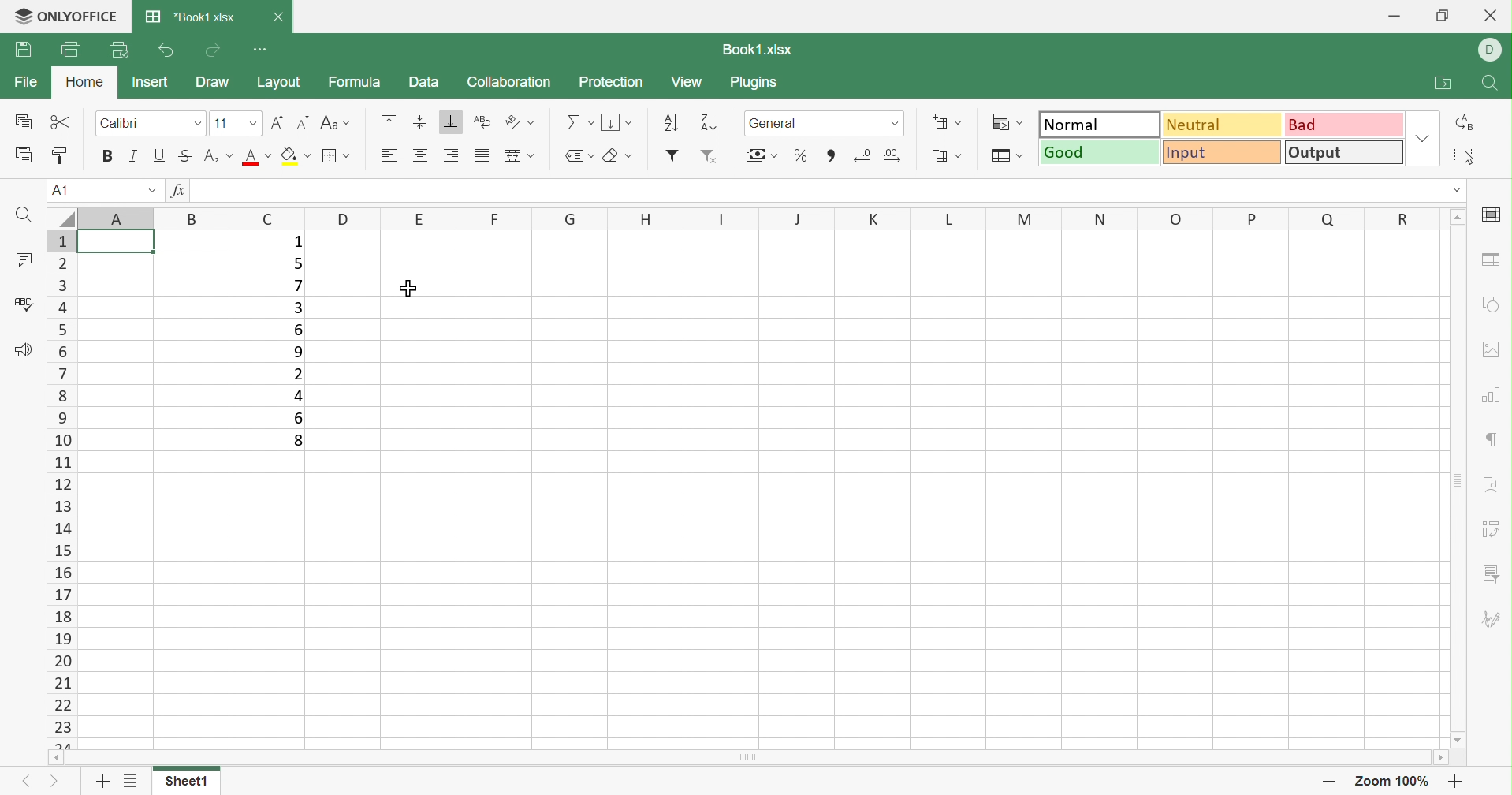  Describe the element at coordinates (1456, 216) in the screenshot. I see `Scroll Up` at that location.